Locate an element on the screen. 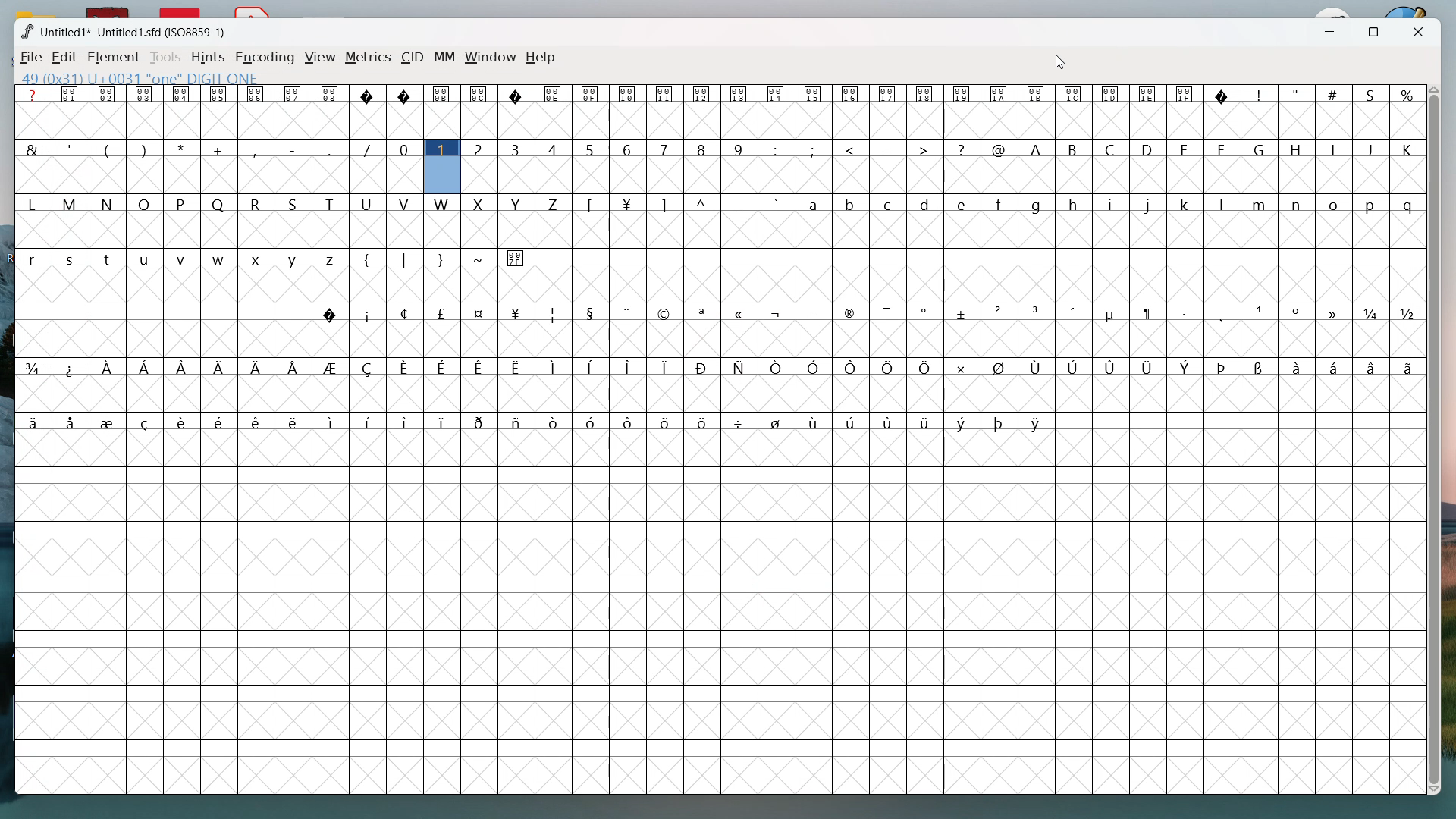 This screenshot has height=819, width=1456. q is located at coordinates (1408, 203).